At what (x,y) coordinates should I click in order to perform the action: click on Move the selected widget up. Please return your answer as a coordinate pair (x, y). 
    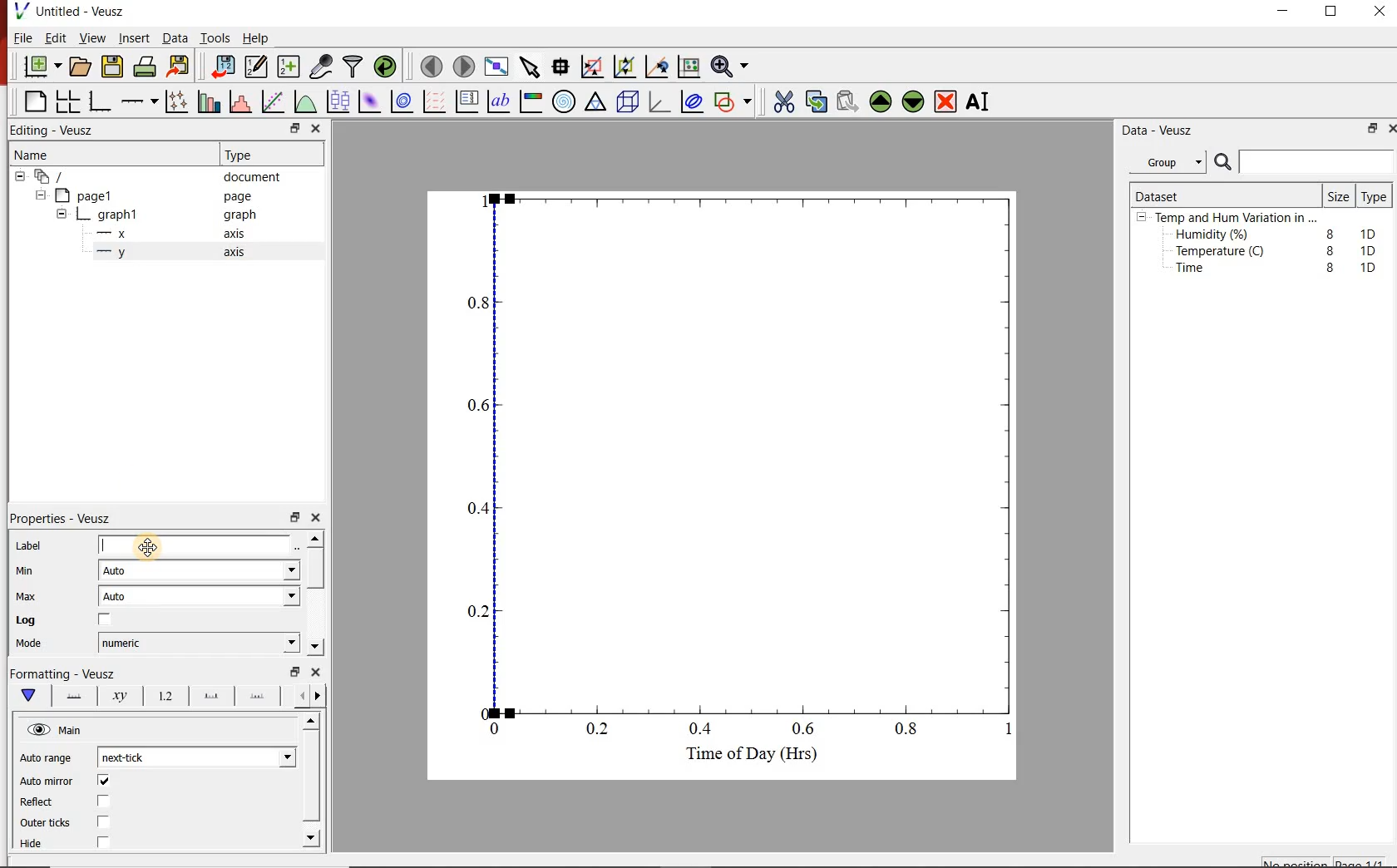
    Looking at the image, I should click on (881, 100).